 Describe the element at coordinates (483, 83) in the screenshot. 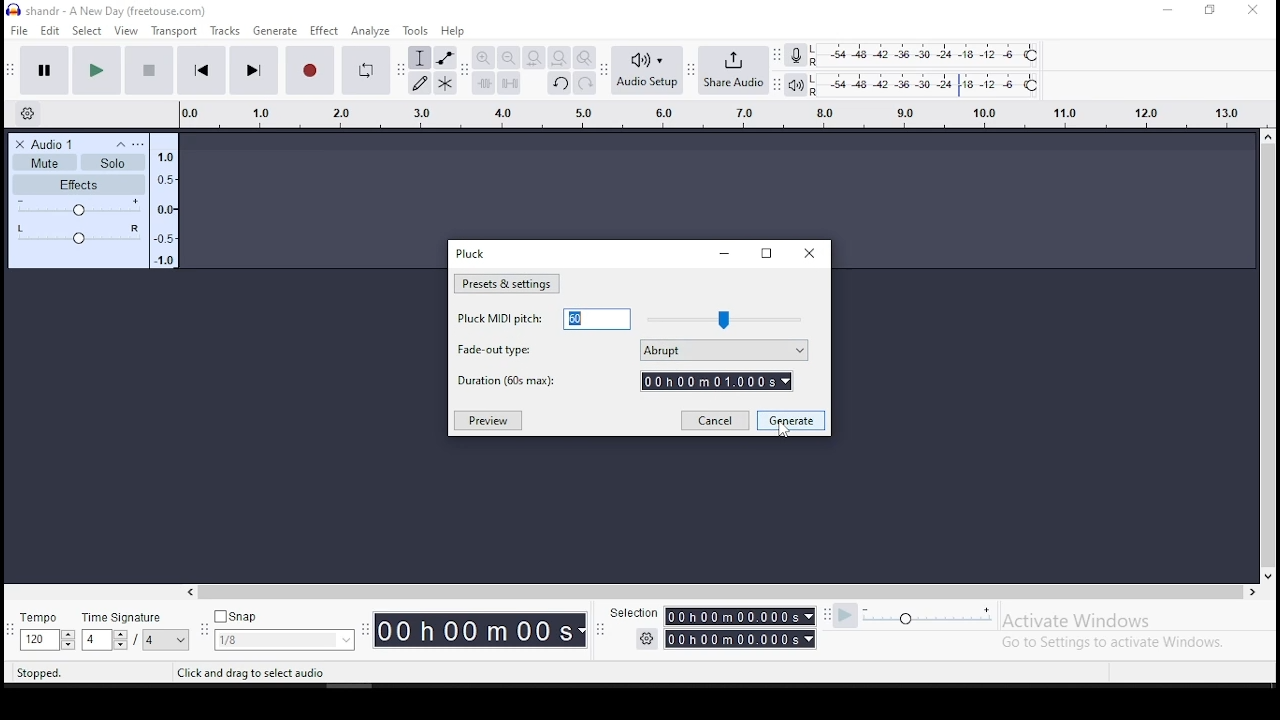

I see `trim audio outside selection` at that location.